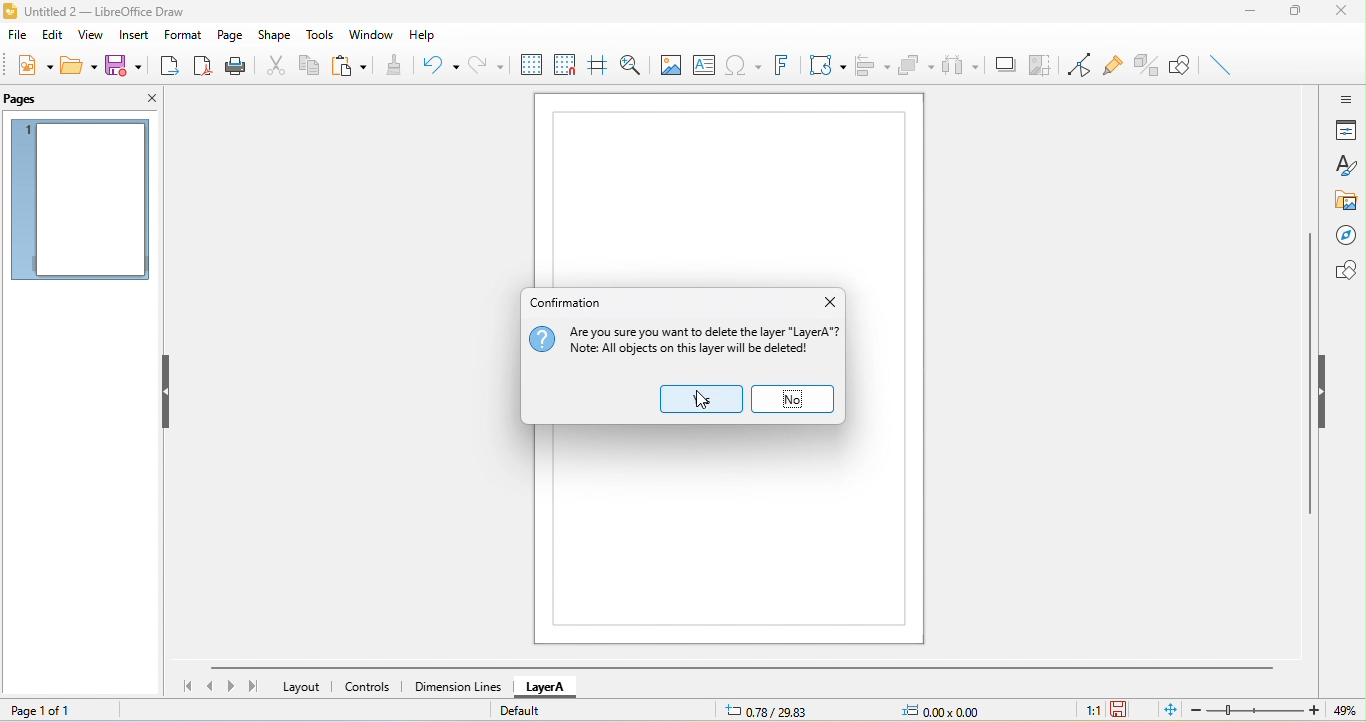 The height and width of the screenshot is (722, 1366). I want to click on image, so click(670, 66).